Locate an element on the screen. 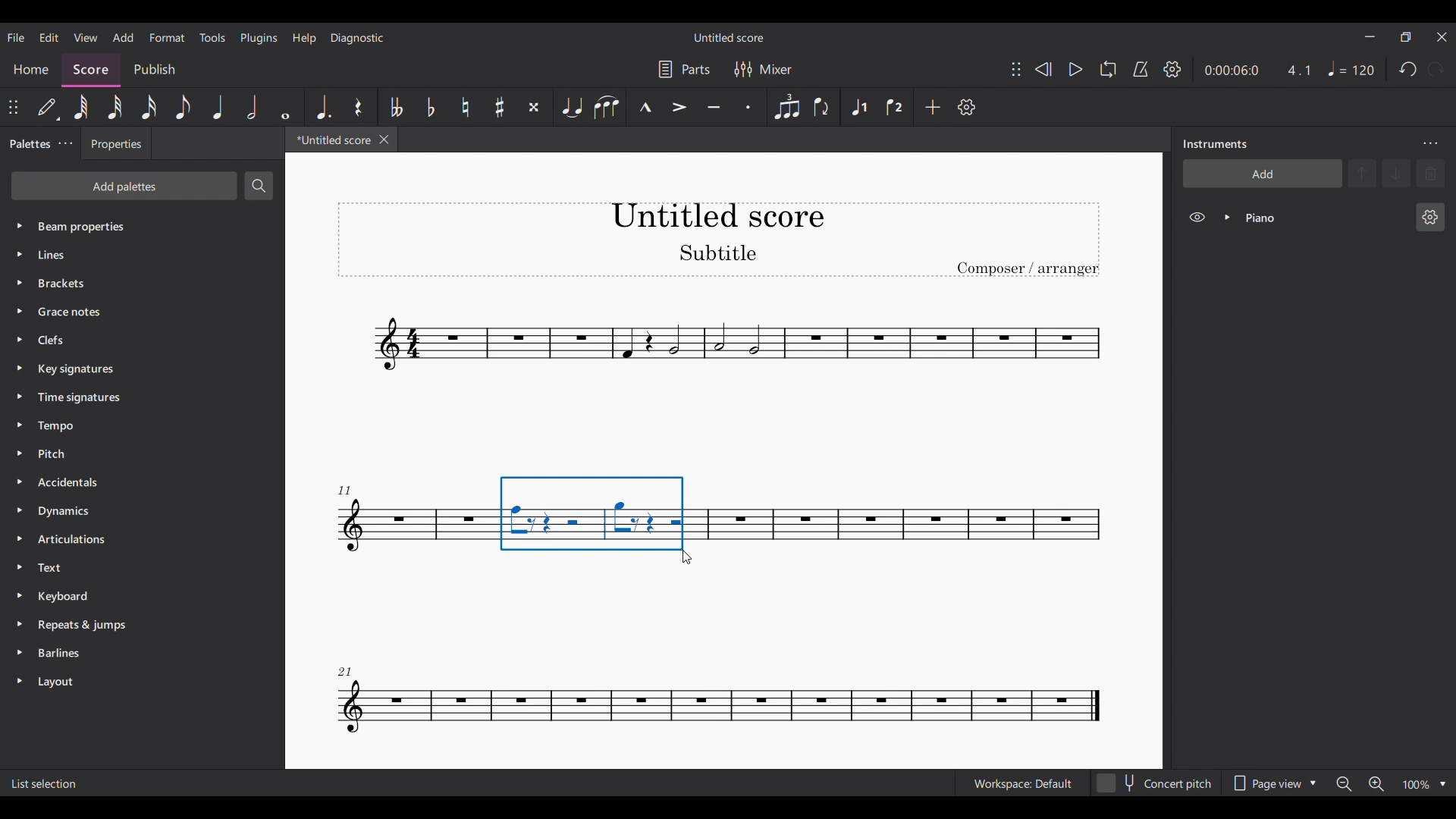 This screenshot has width=1456, height=819. Tools menu is located at coordinates (213, 37).